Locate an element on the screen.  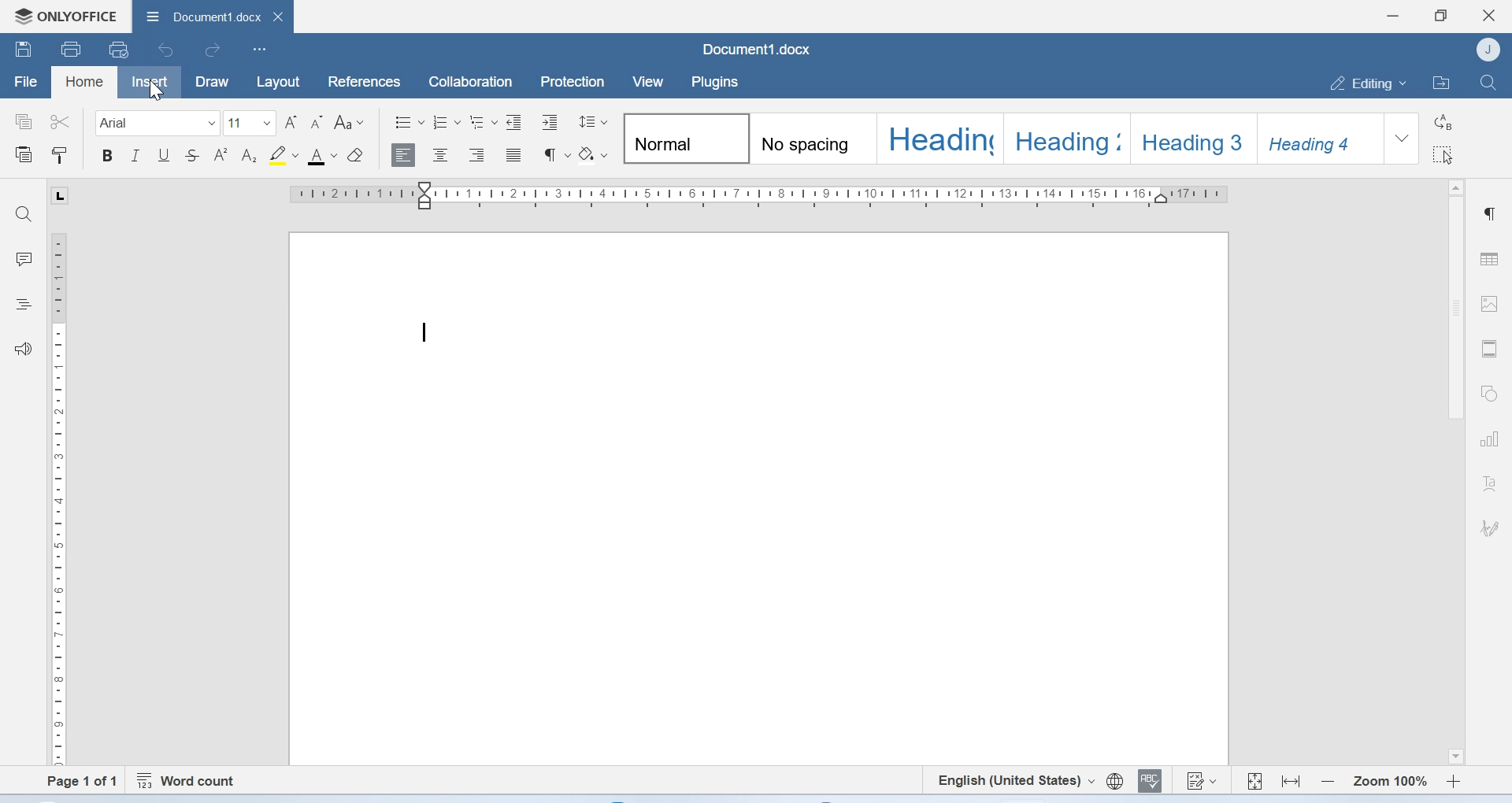
Page is located at coordinates (758, 500).